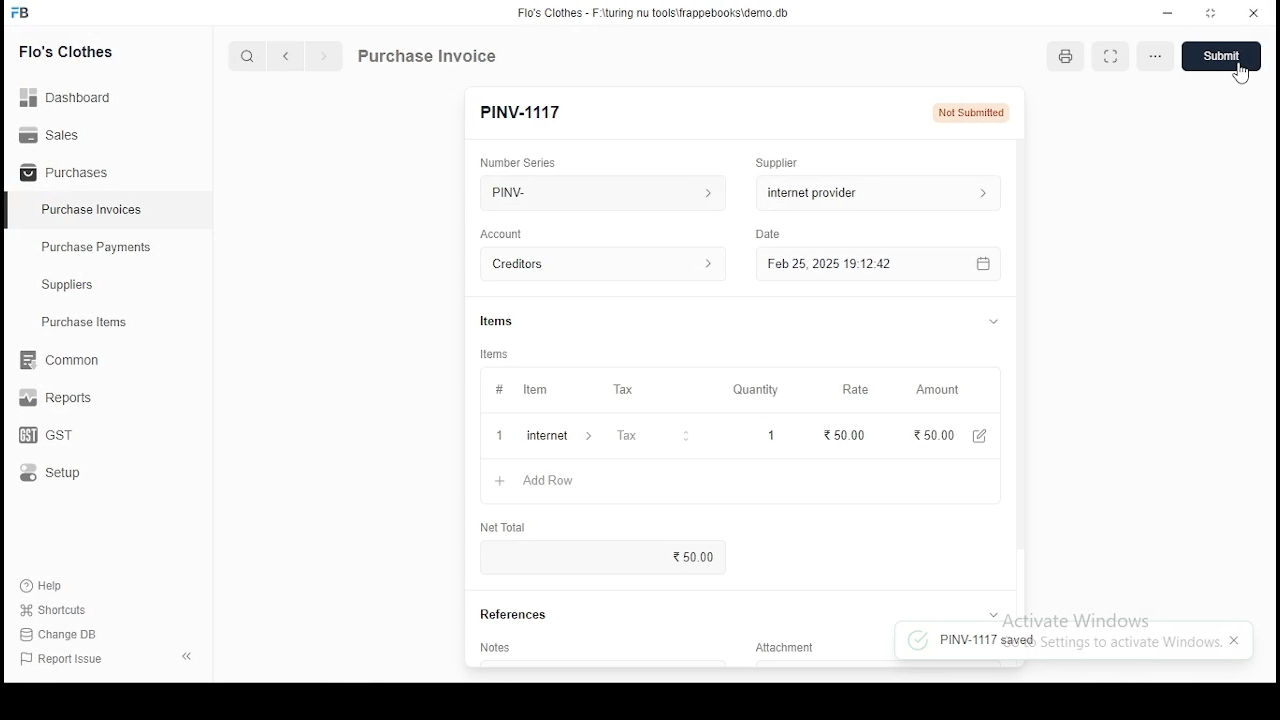 This screenshot has height=720, width=1280. Describe the element at coordinates (534, 391) in the screenshot. I see `item` at that location.